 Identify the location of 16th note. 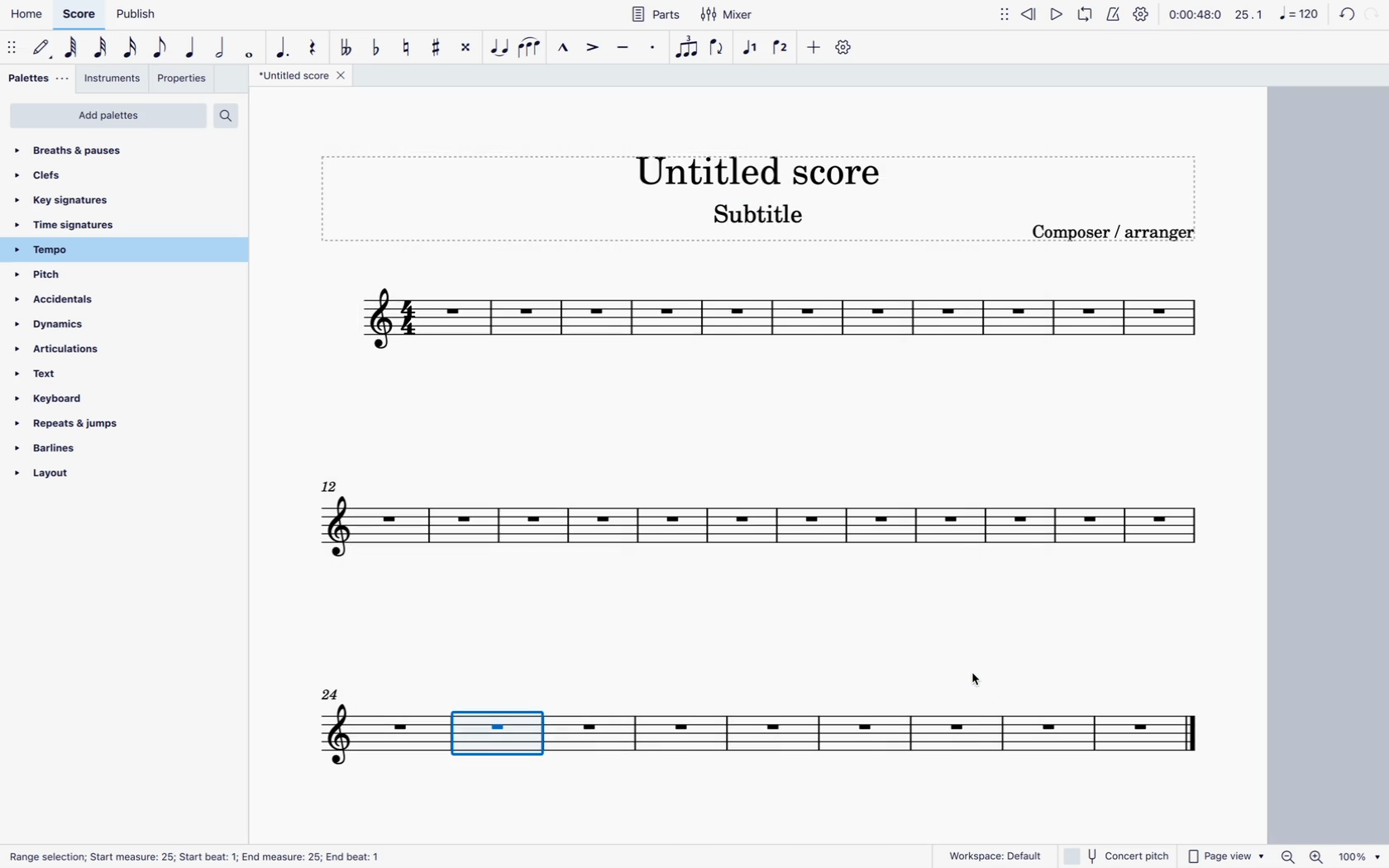
(131, 48).